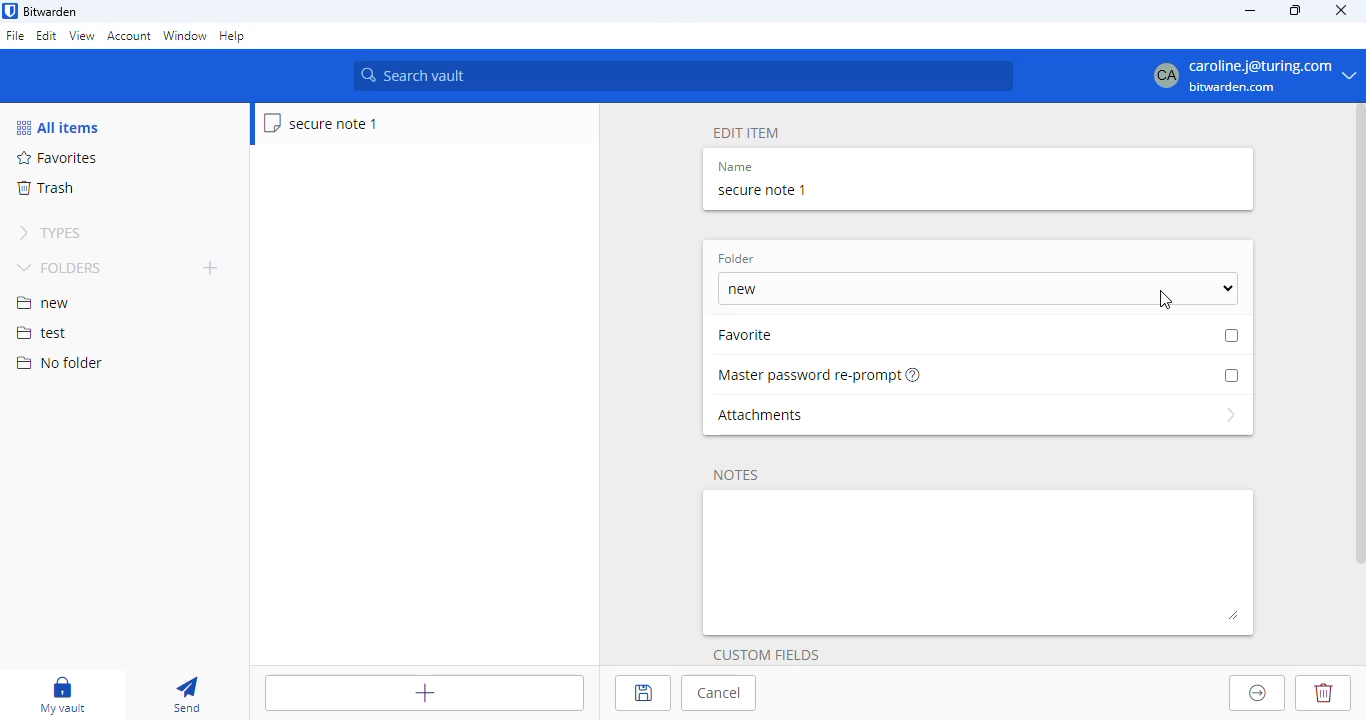 The width and height of the screenshot is (1366, 720). Describe the element at coordinates (43, 303) in the screenshot. I see `new` at that location.